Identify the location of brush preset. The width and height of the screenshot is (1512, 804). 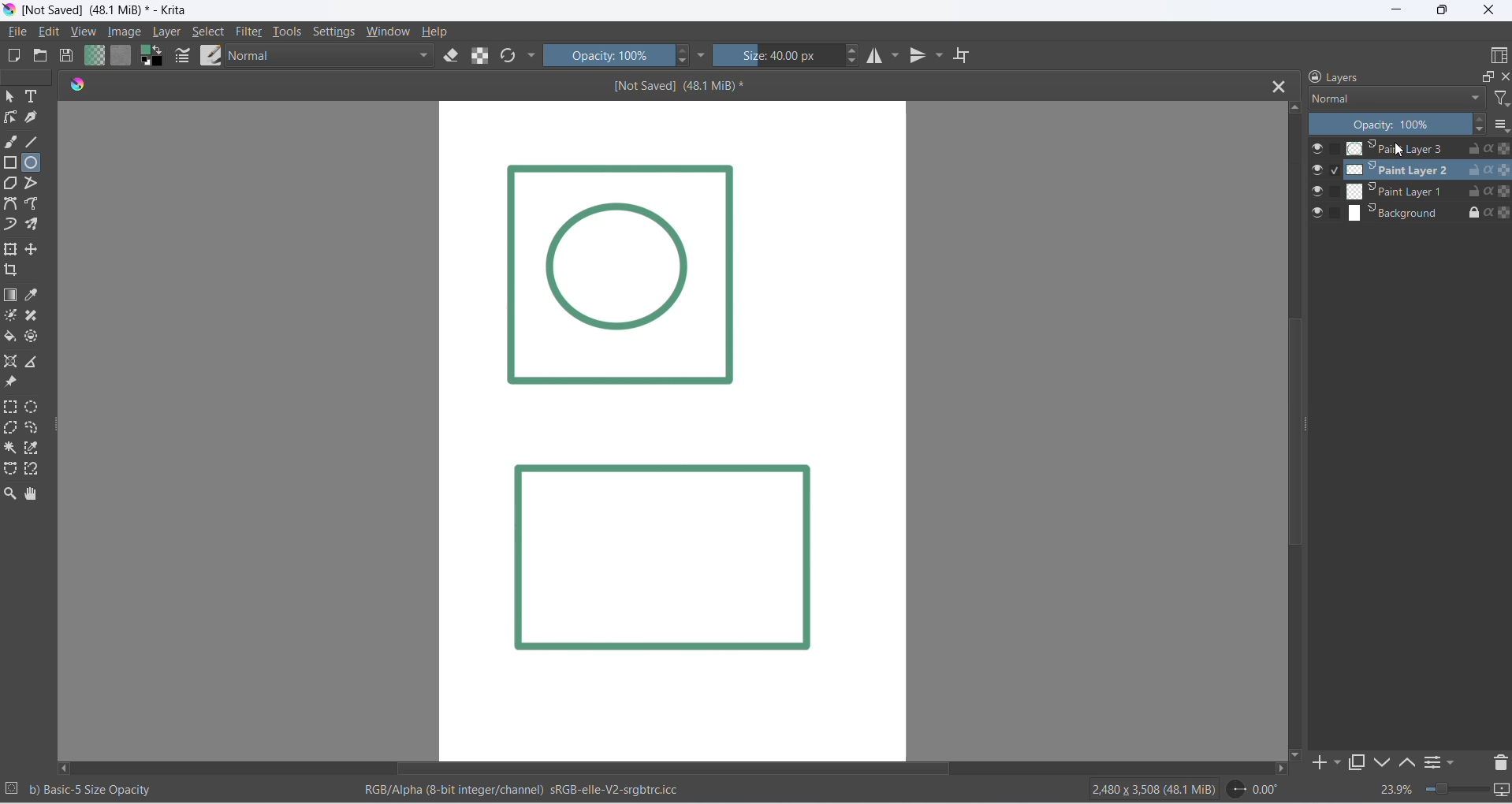
(210, 56).